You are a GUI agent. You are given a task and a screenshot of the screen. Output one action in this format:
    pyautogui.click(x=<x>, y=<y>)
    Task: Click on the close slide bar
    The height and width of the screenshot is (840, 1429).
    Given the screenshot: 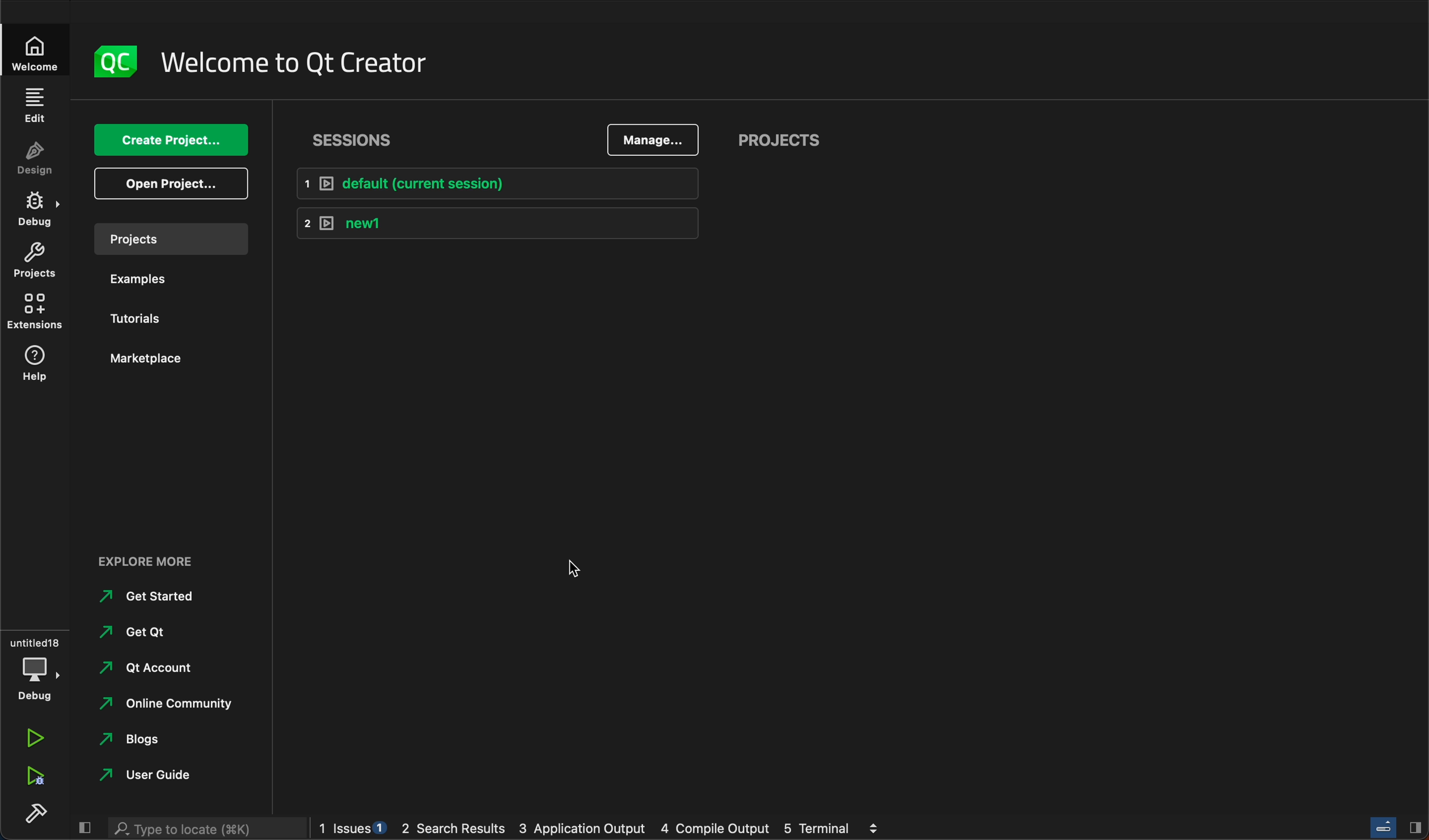 What is the action you would take?
    pyautogui.click(x=83, y=829)
    